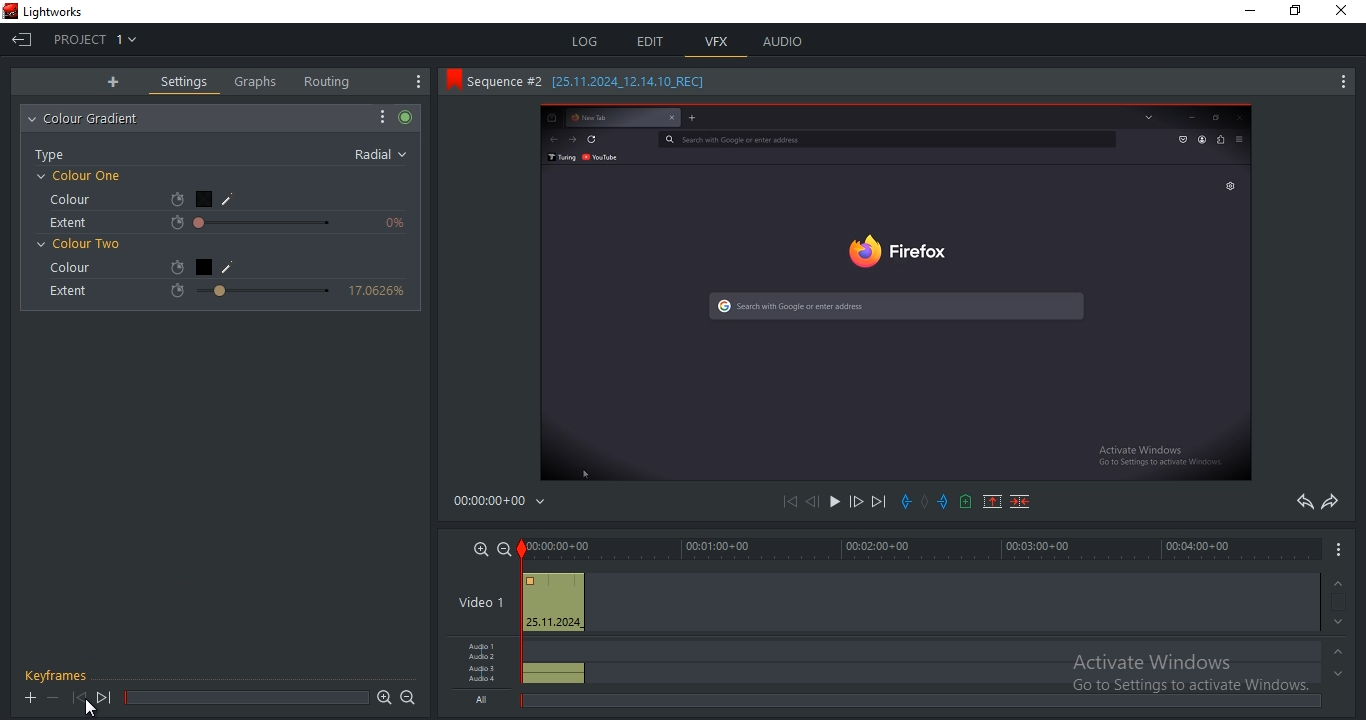  What do you see at coordinates (247, 699) in the screenshot?
I see `bar` at bounding box center [247, 699].